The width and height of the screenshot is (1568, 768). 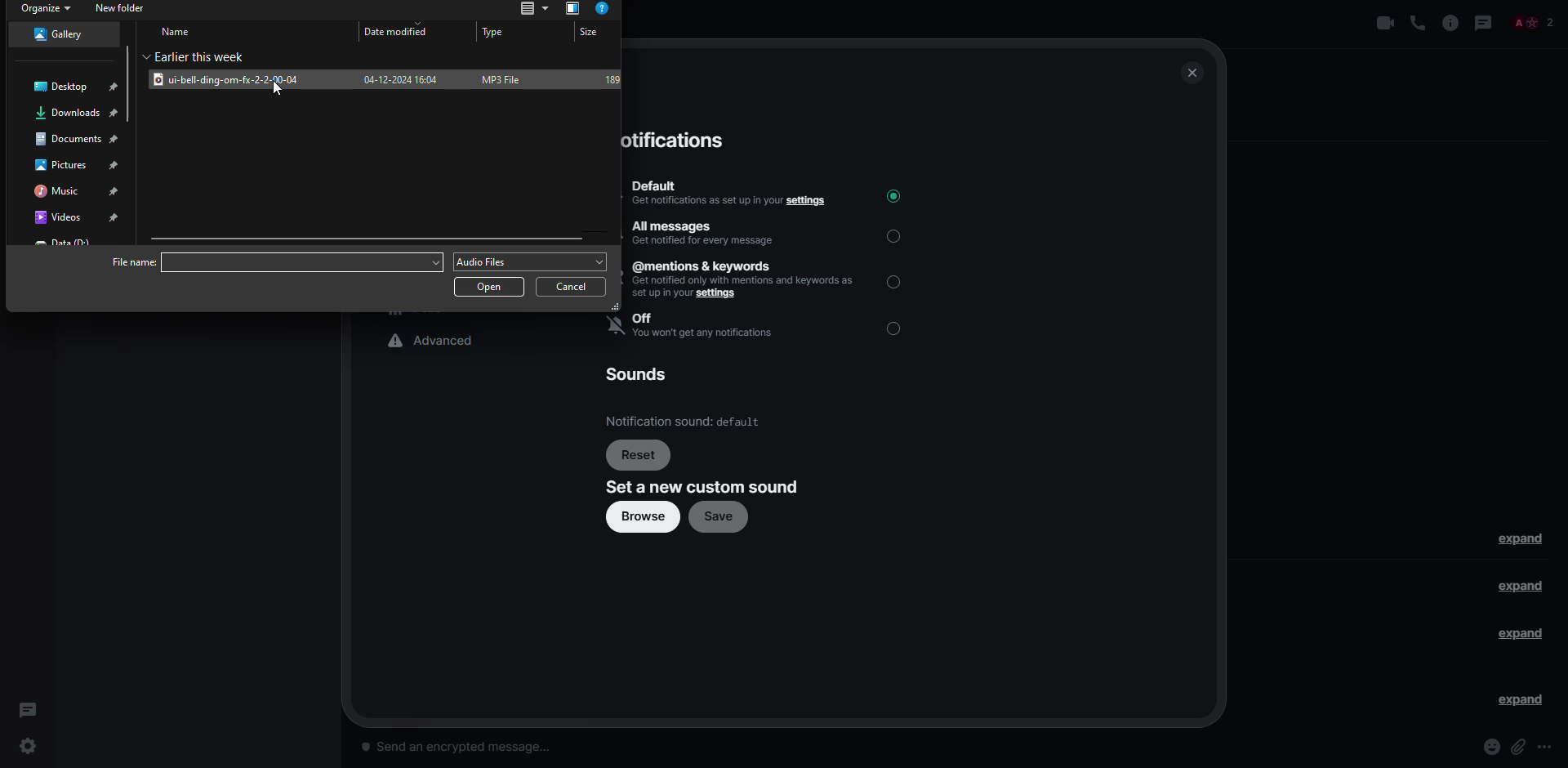 I want to click on audio files, so click(x=532, y=262).